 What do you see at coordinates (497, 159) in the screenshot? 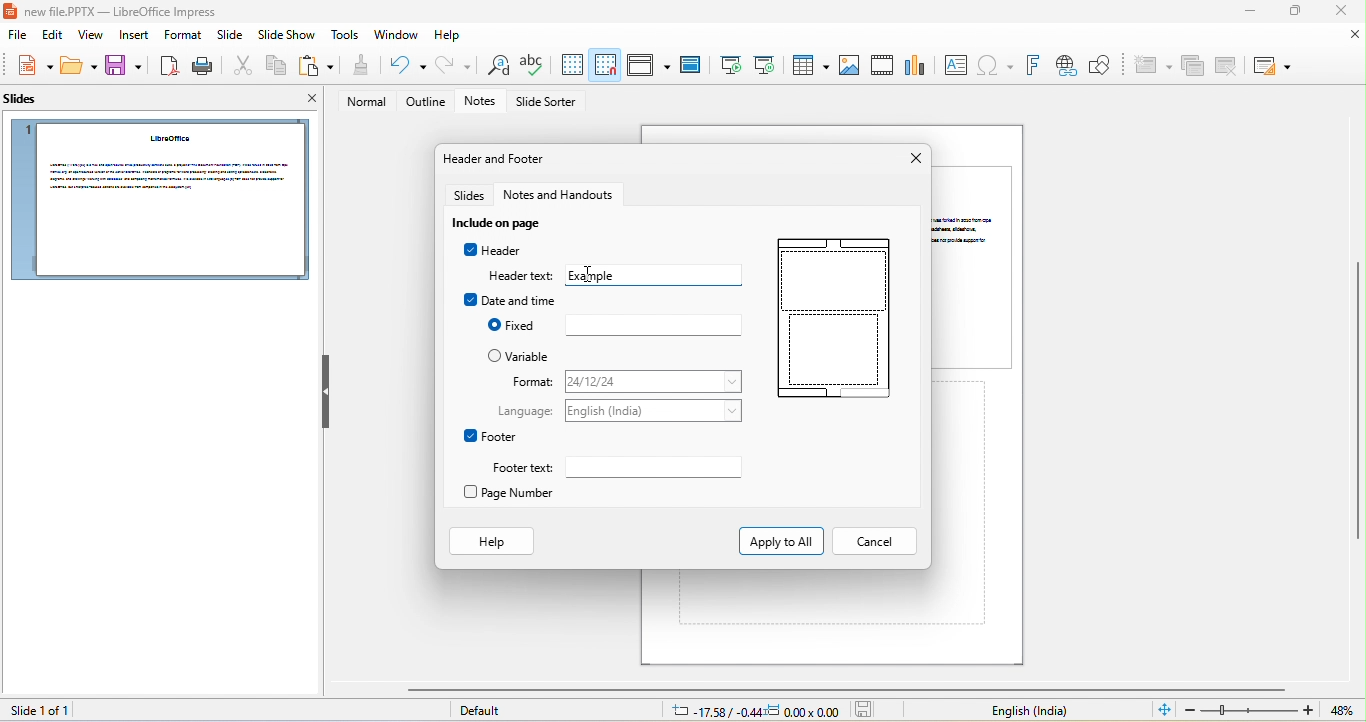
I see `header and footer` at bounding box center [497, 159].